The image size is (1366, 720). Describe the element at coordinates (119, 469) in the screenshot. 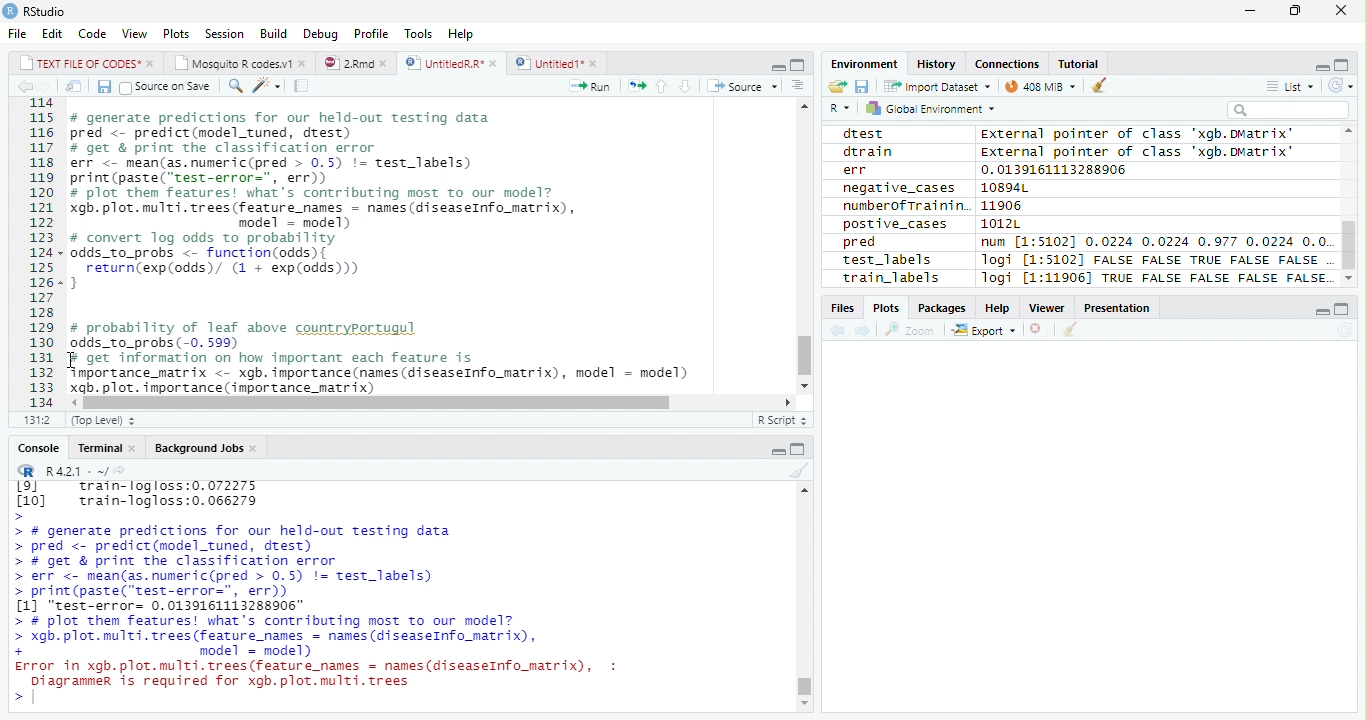

I see `Show directory` at that location.